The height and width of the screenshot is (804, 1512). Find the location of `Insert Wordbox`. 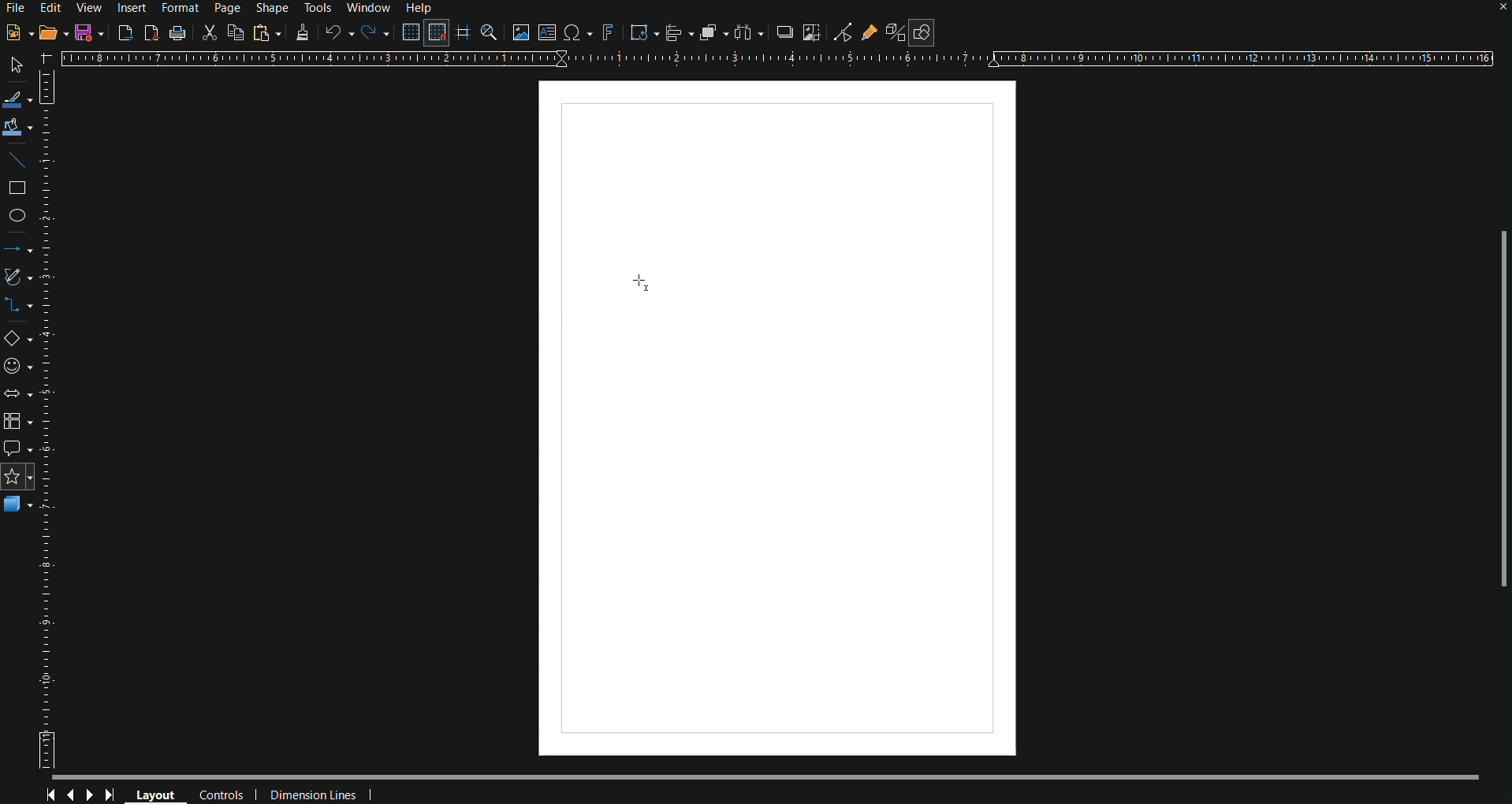

Insert Wordbox is located at coordinates (548, 34).